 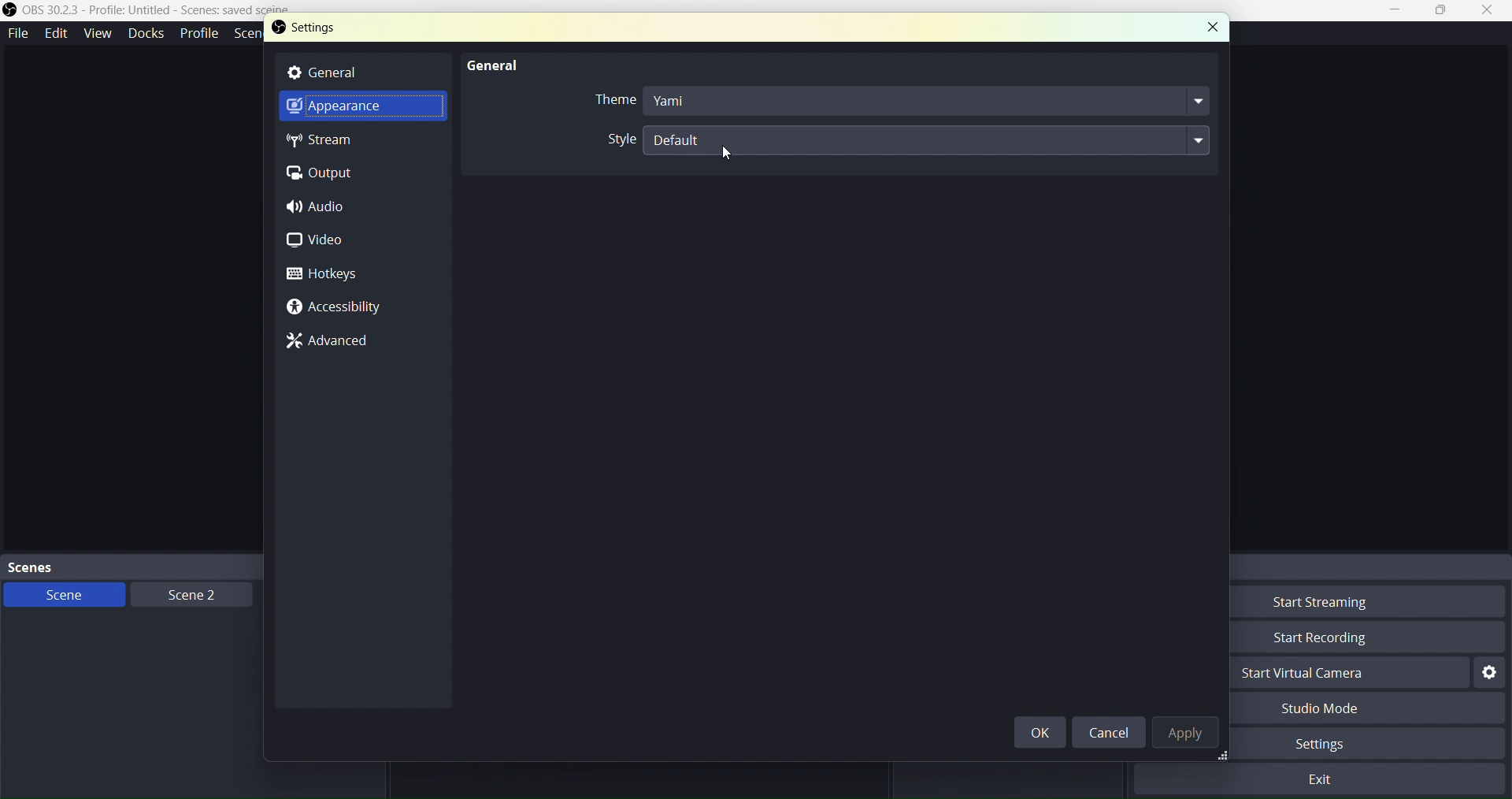 I want to click on Settings, so click(x=336, y=31).